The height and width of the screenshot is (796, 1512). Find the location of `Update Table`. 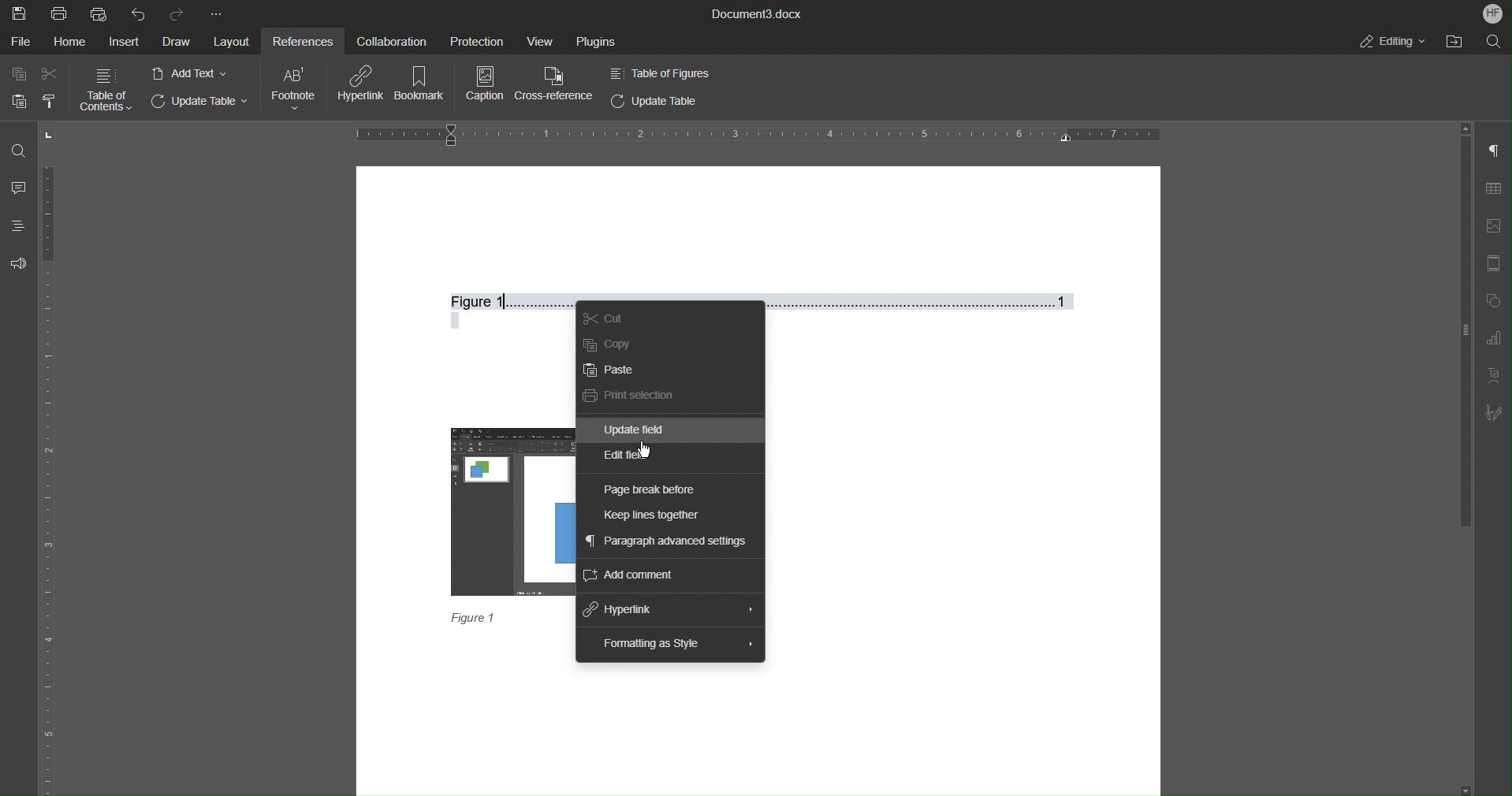

Update Table is located at coordinates (203, 103).